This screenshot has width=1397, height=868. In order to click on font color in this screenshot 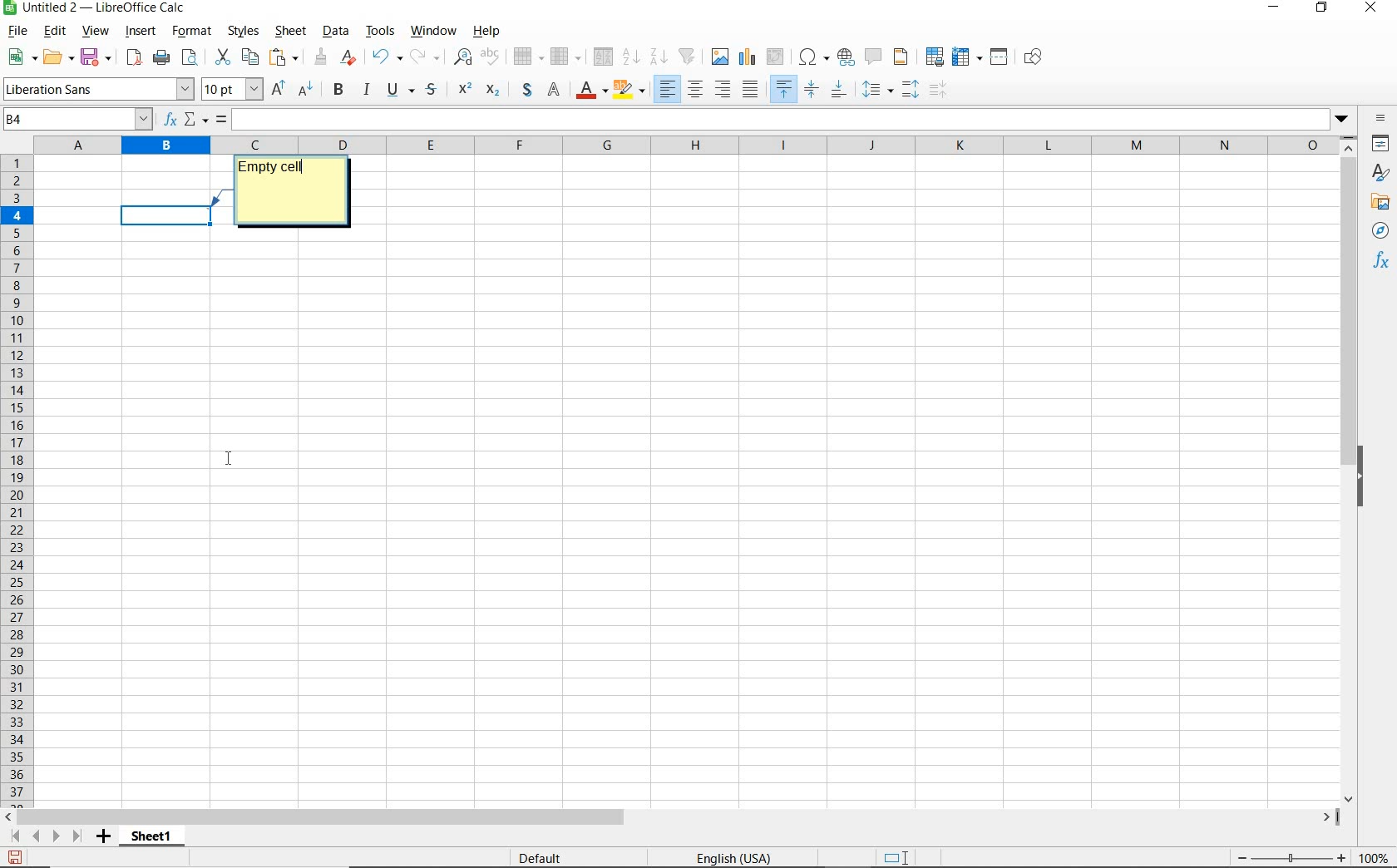, I will do `click(590, 91)`.